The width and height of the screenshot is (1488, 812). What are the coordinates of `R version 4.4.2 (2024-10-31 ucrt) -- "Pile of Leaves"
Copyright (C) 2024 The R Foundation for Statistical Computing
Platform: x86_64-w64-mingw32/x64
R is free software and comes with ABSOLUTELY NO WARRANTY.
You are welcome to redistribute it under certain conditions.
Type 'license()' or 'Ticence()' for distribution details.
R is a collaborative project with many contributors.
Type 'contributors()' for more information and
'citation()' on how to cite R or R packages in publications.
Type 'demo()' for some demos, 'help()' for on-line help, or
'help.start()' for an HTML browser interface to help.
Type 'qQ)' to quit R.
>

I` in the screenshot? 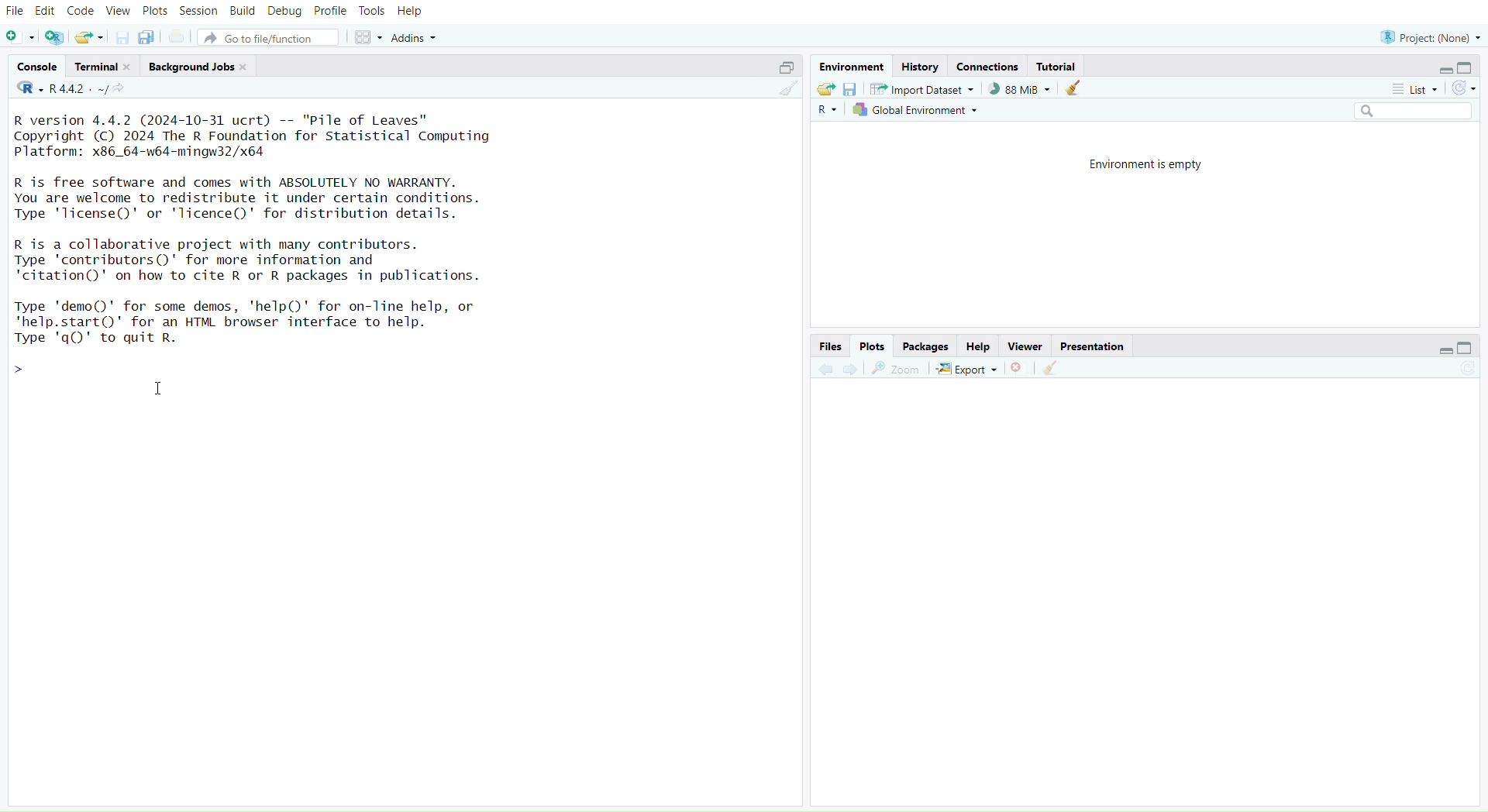 It's located at (264, 243).